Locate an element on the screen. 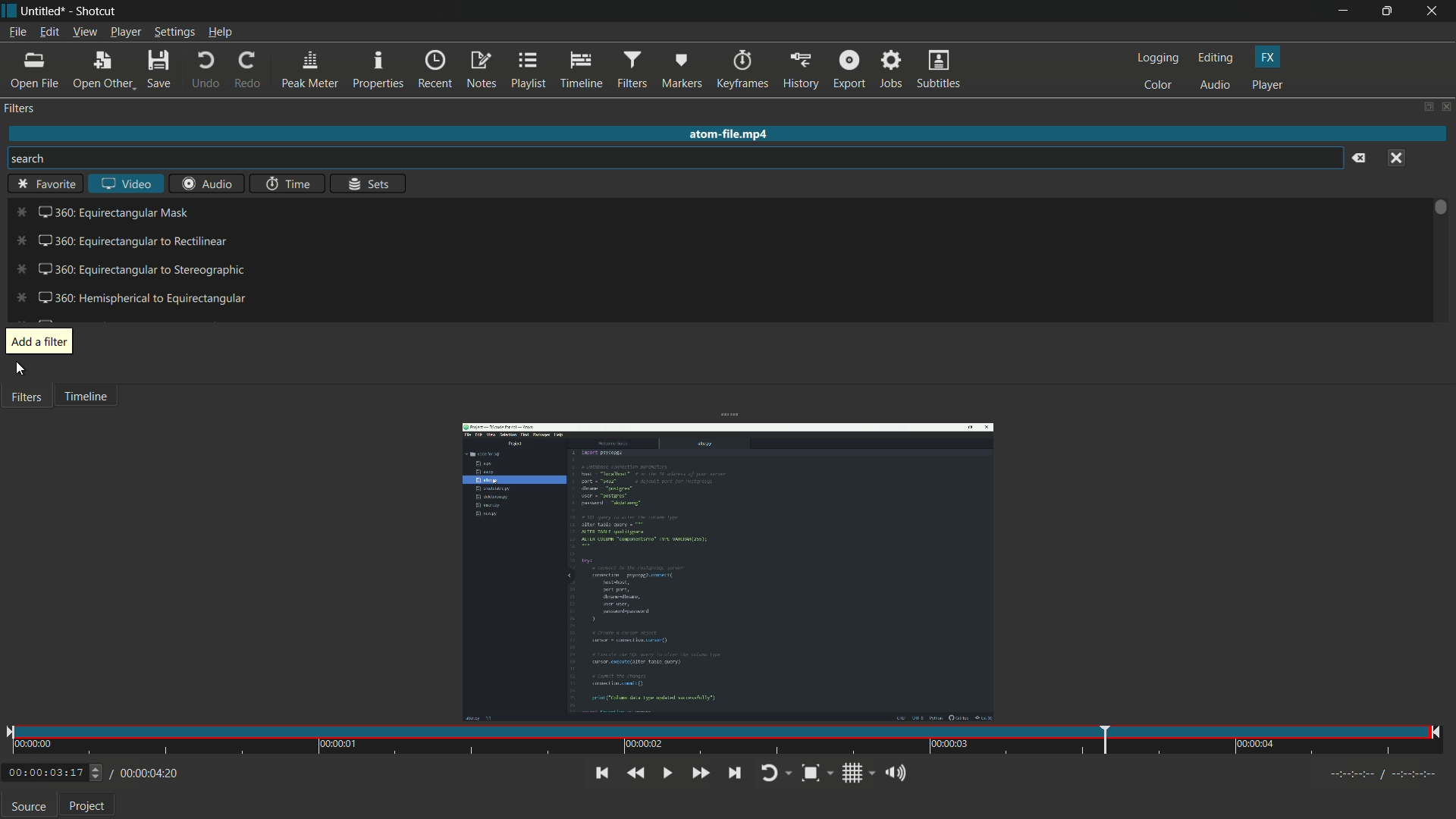 This screenshot has height=819, width=1456. close panel is located at coordinates (1445, 106).